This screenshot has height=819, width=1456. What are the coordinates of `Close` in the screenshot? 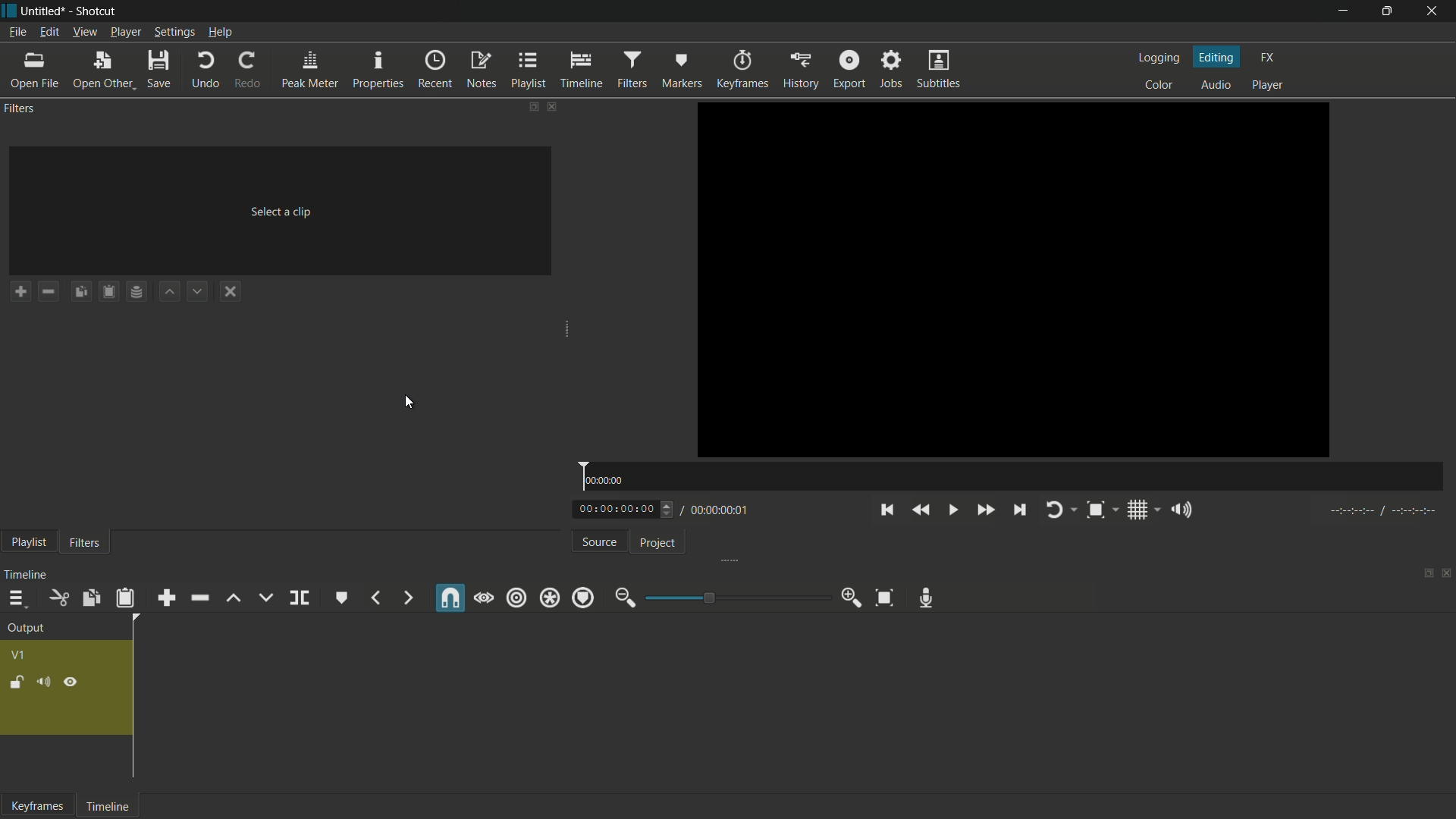 It's located at (1434, 11).